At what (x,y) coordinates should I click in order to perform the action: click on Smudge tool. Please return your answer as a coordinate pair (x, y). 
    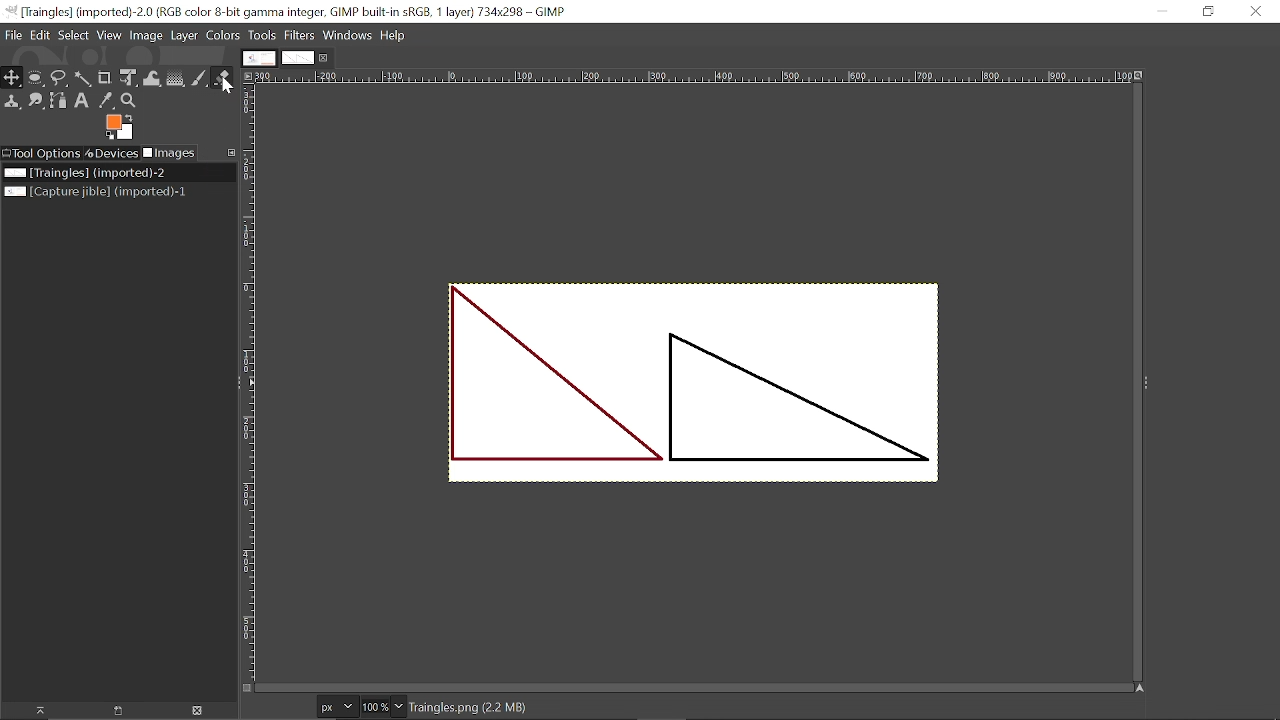
    Looking at the image, I should click on (37, 101).